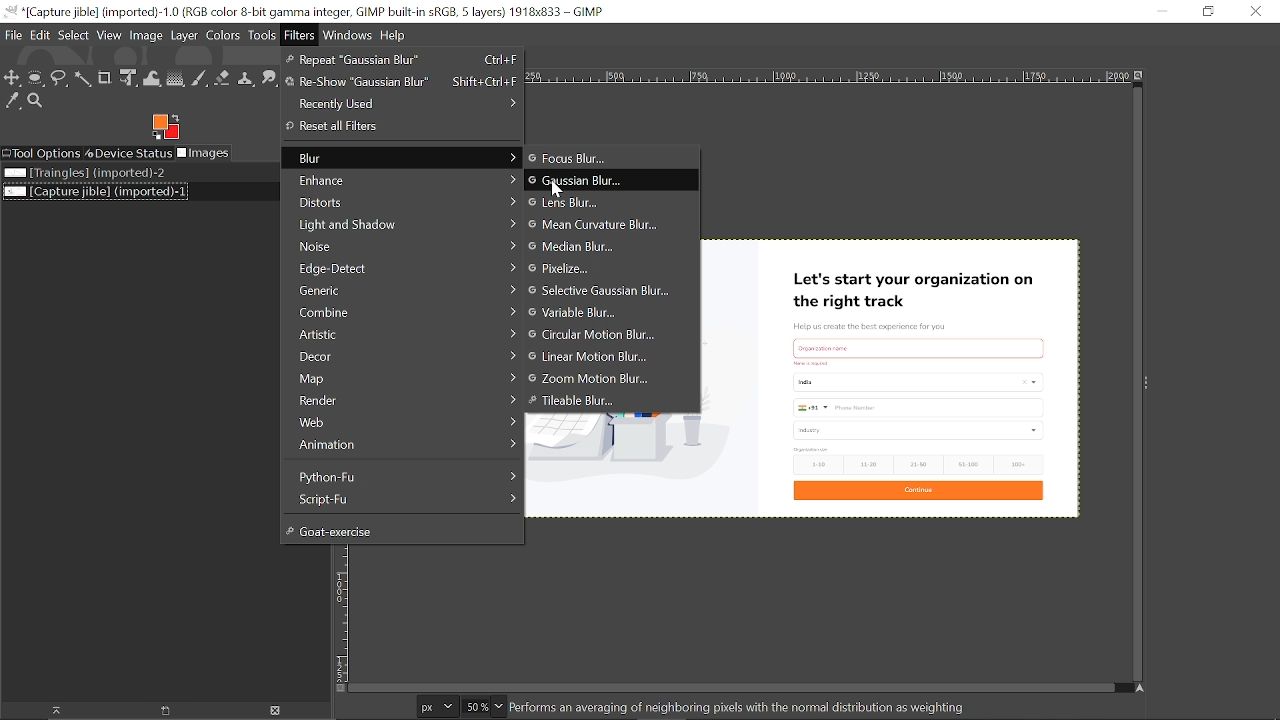 This screenshot has height=720, width=1280. What do you see at coordinates (402, 102) in the screenshot?
I see `Recently Used` at bounding box center [402, 102].